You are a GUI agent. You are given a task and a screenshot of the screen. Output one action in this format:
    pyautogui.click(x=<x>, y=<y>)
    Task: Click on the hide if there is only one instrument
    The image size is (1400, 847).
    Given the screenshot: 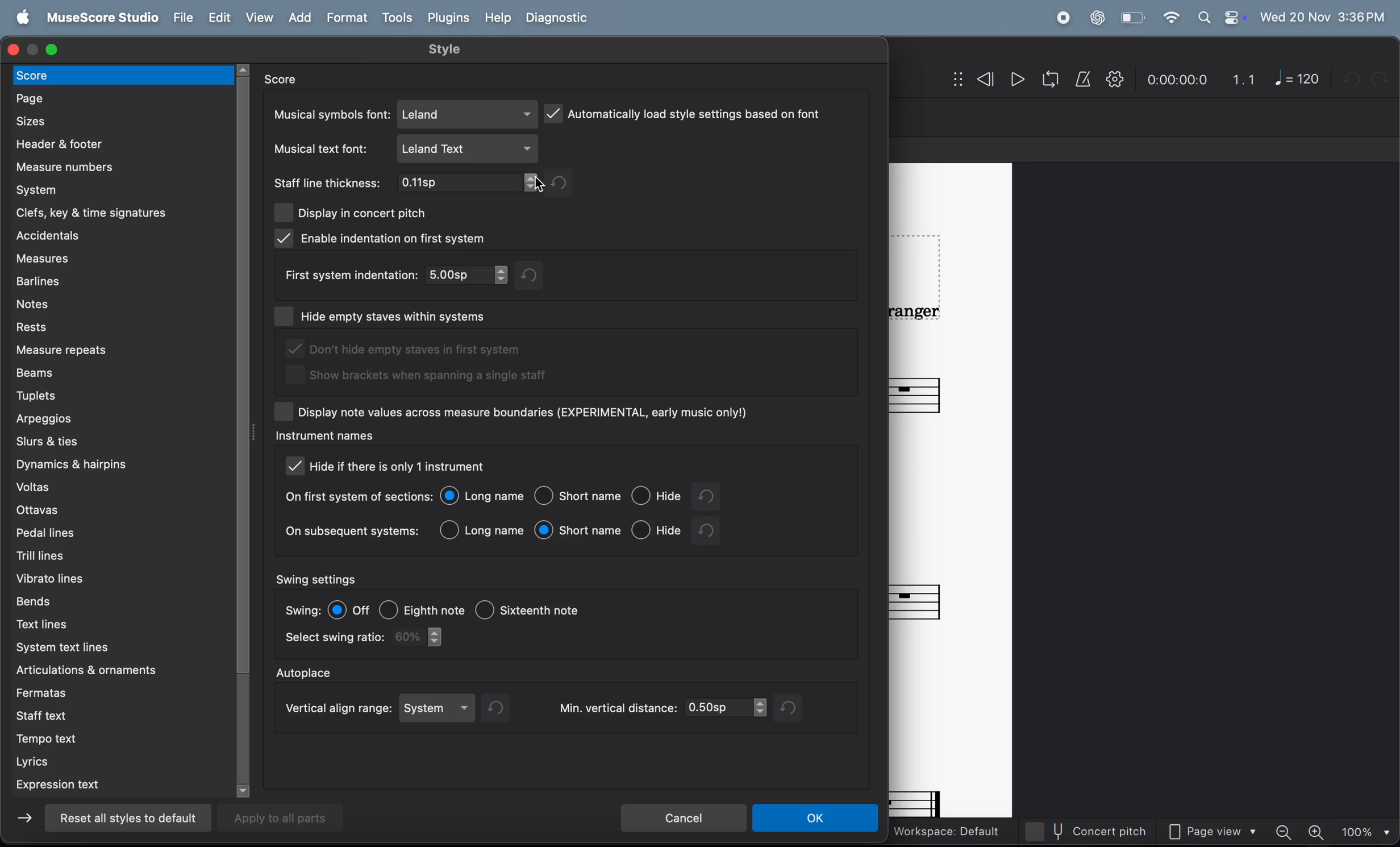 What is the action you would take?
    pyautogui.click(x=408, y=468)
    